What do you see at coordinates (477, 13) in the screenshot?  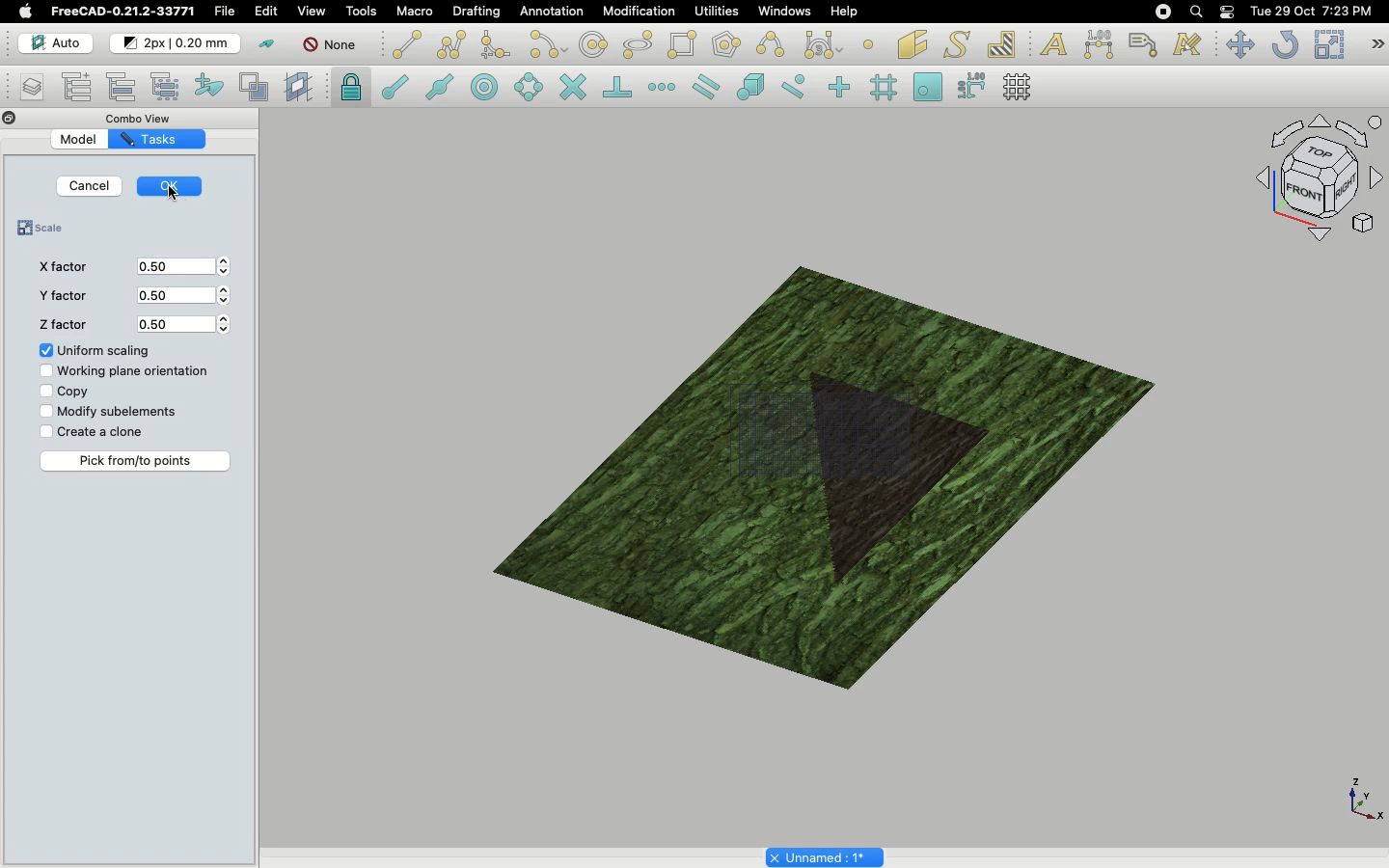 I see `Drafting` at bounding box center [477, 13].